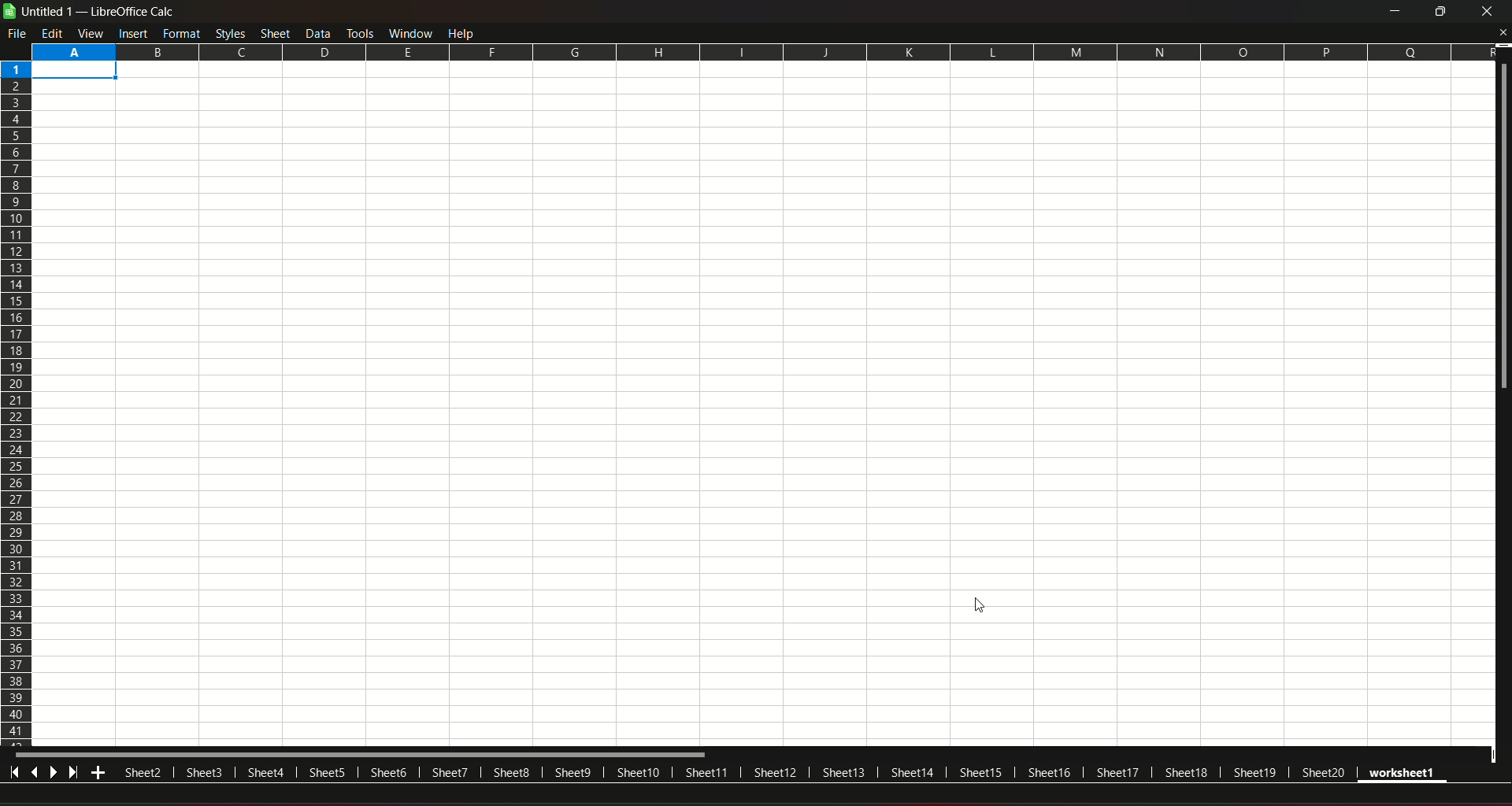 The width and height of the screenshot is (1512, 806). What do you see at coordinates (15, 774) in the screenshot?
I see `First sheet` at bounding box center [15, 774].